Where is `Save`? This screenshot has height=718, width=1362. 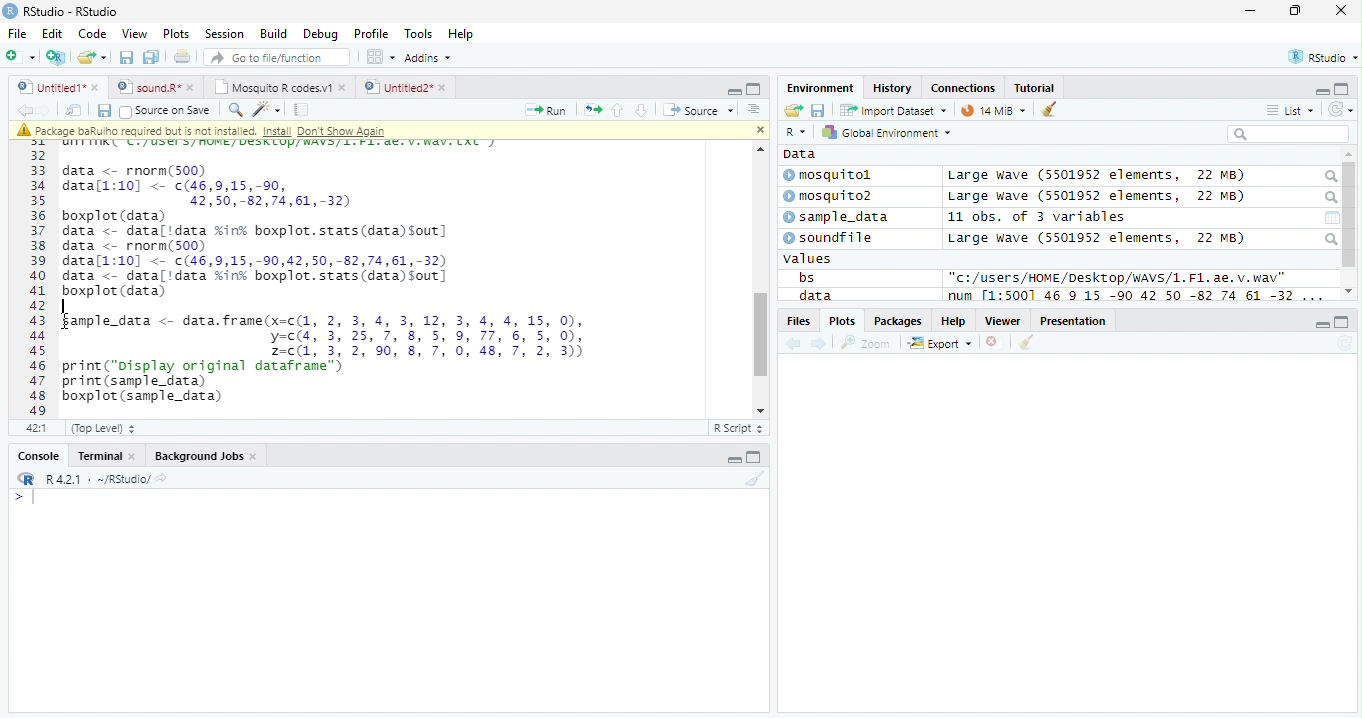
Save is located at coordinates (818, 110).